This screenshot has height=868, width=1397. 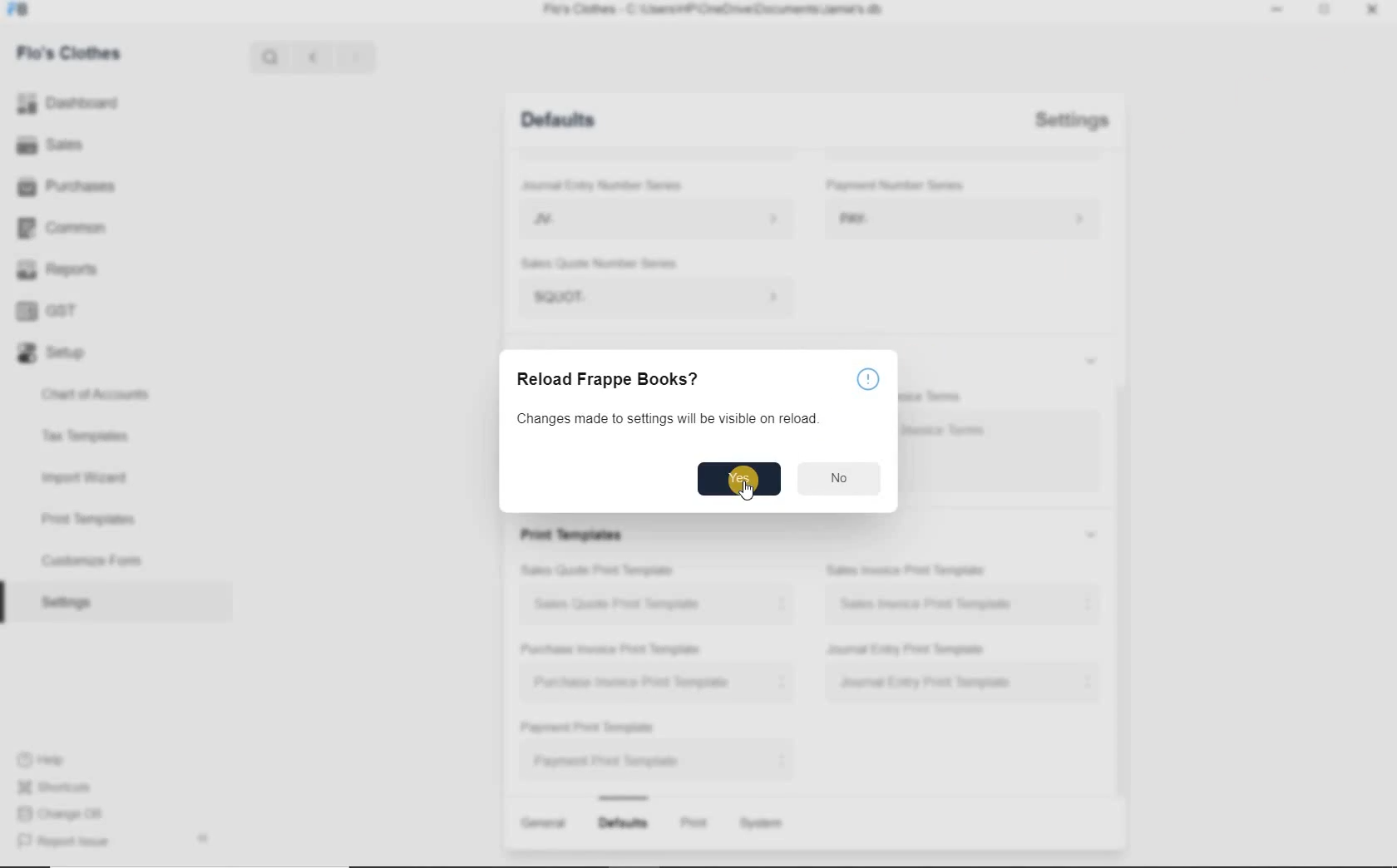 What do you see at coordinates (1322, 10) in the screenshot?
I see `Expand` at bounding box center [1322, 10].